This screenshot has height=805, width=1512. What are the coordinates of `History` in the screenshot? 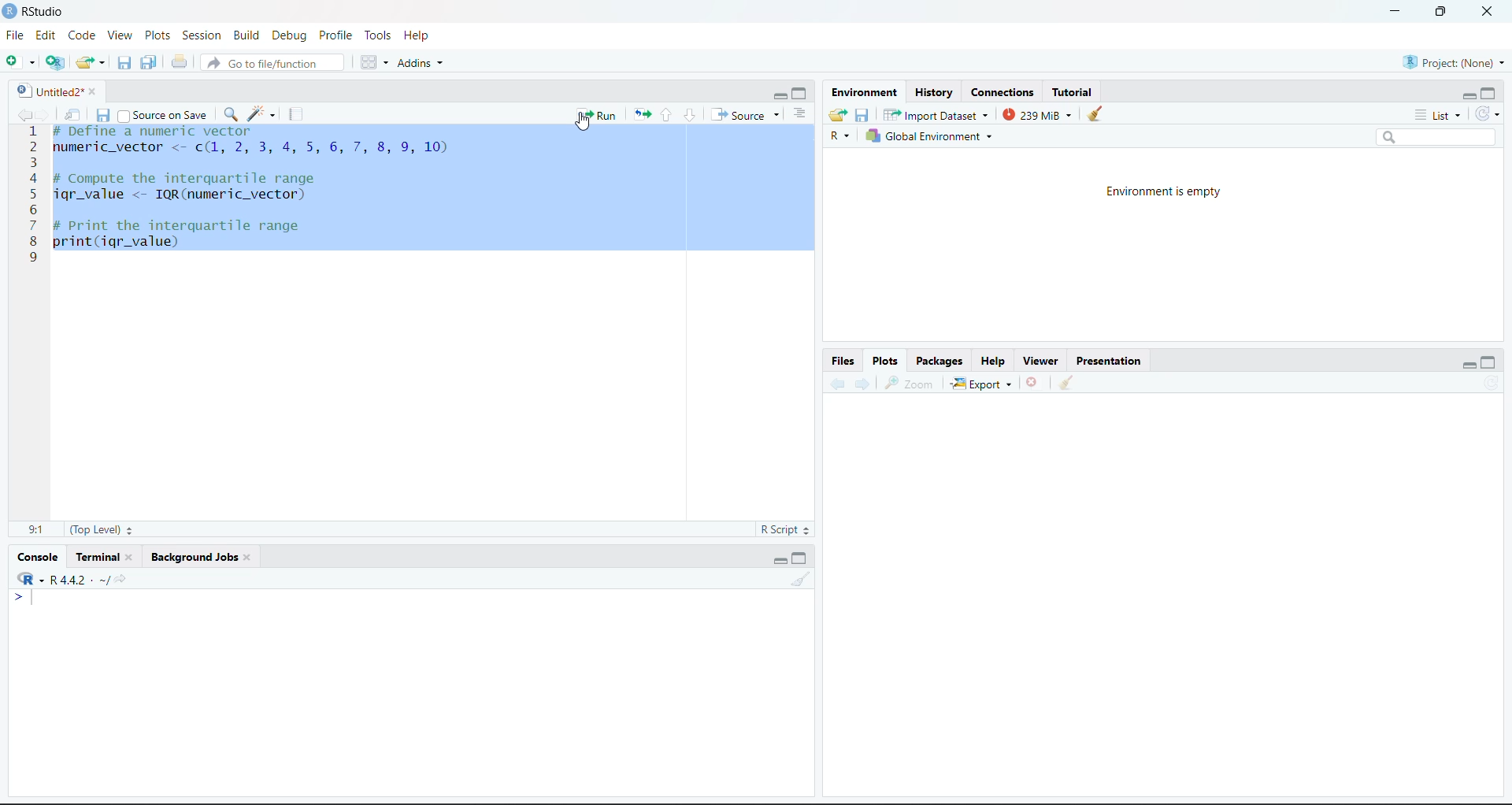 It's located at (934, 93).